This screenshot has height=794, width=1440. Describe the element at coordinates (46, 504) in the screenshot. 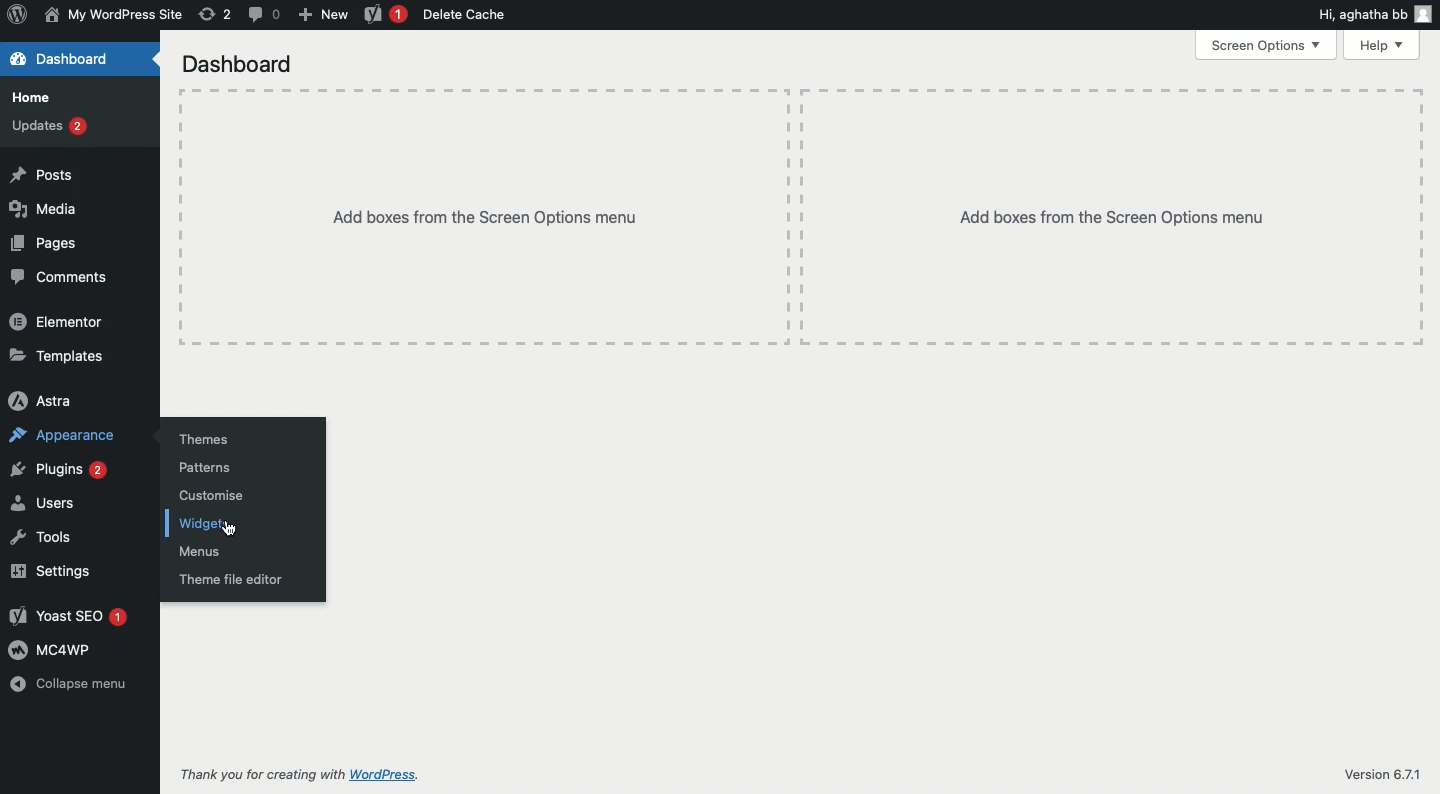

I see `Users` at that location.